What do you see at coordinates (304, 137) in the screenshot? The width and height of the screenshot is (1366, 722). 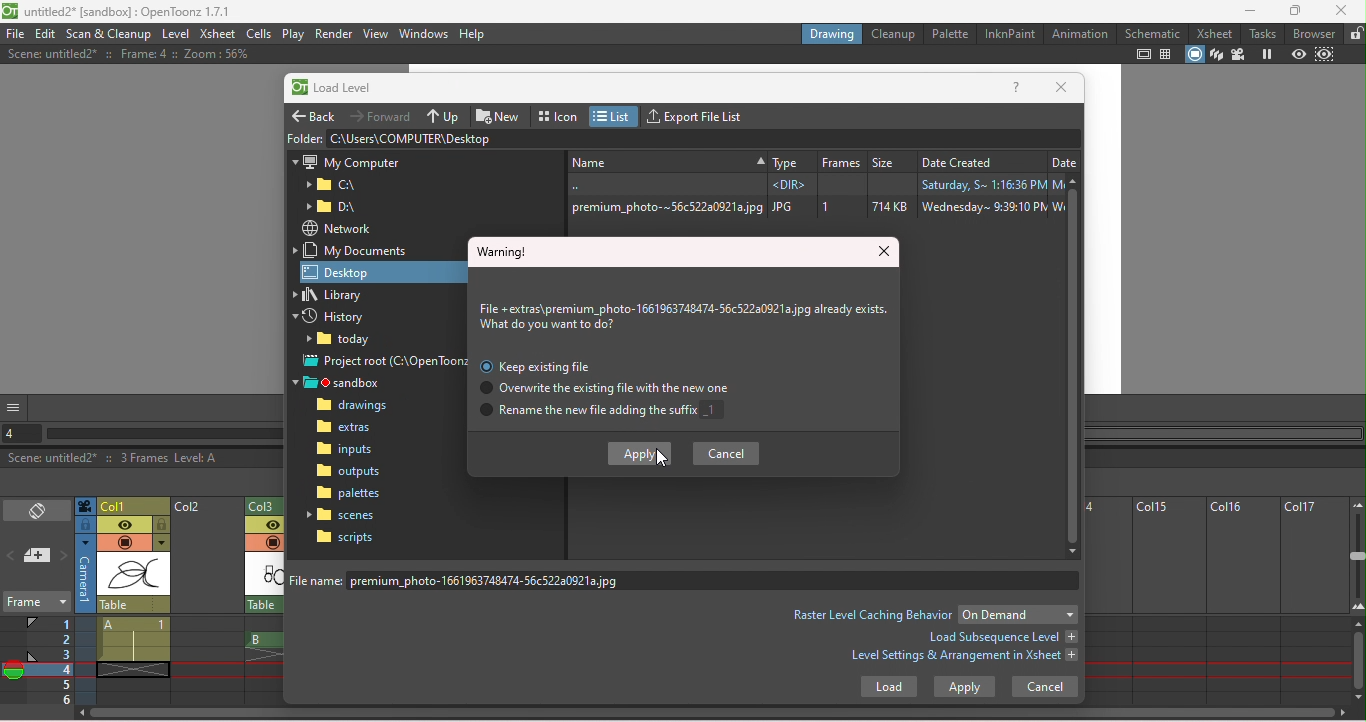 I see `Folder` at bounding box center [304, 137].